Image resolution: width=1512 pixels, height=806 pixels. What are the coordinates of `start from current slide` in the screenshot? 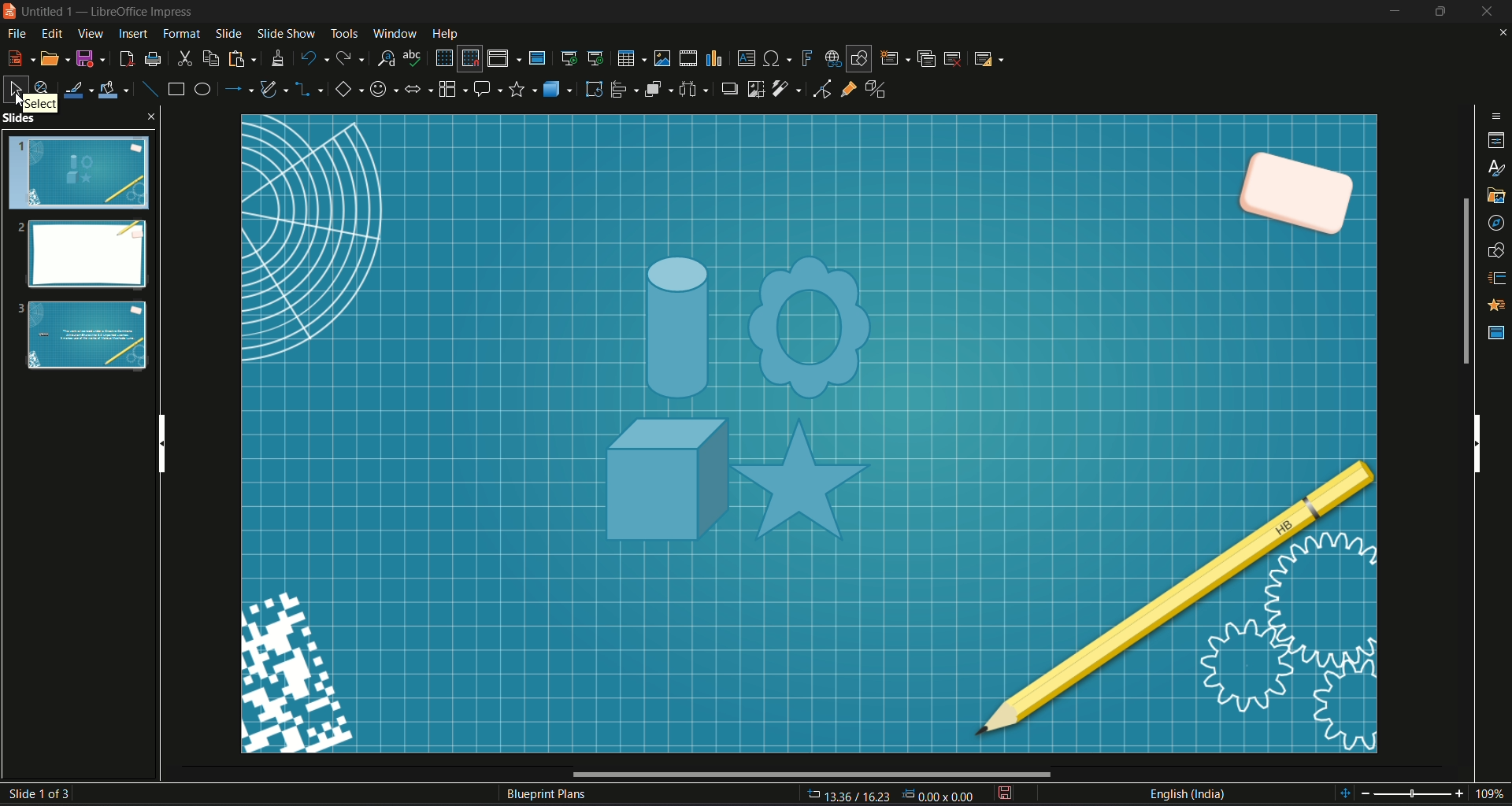 It's located at (597, 58).